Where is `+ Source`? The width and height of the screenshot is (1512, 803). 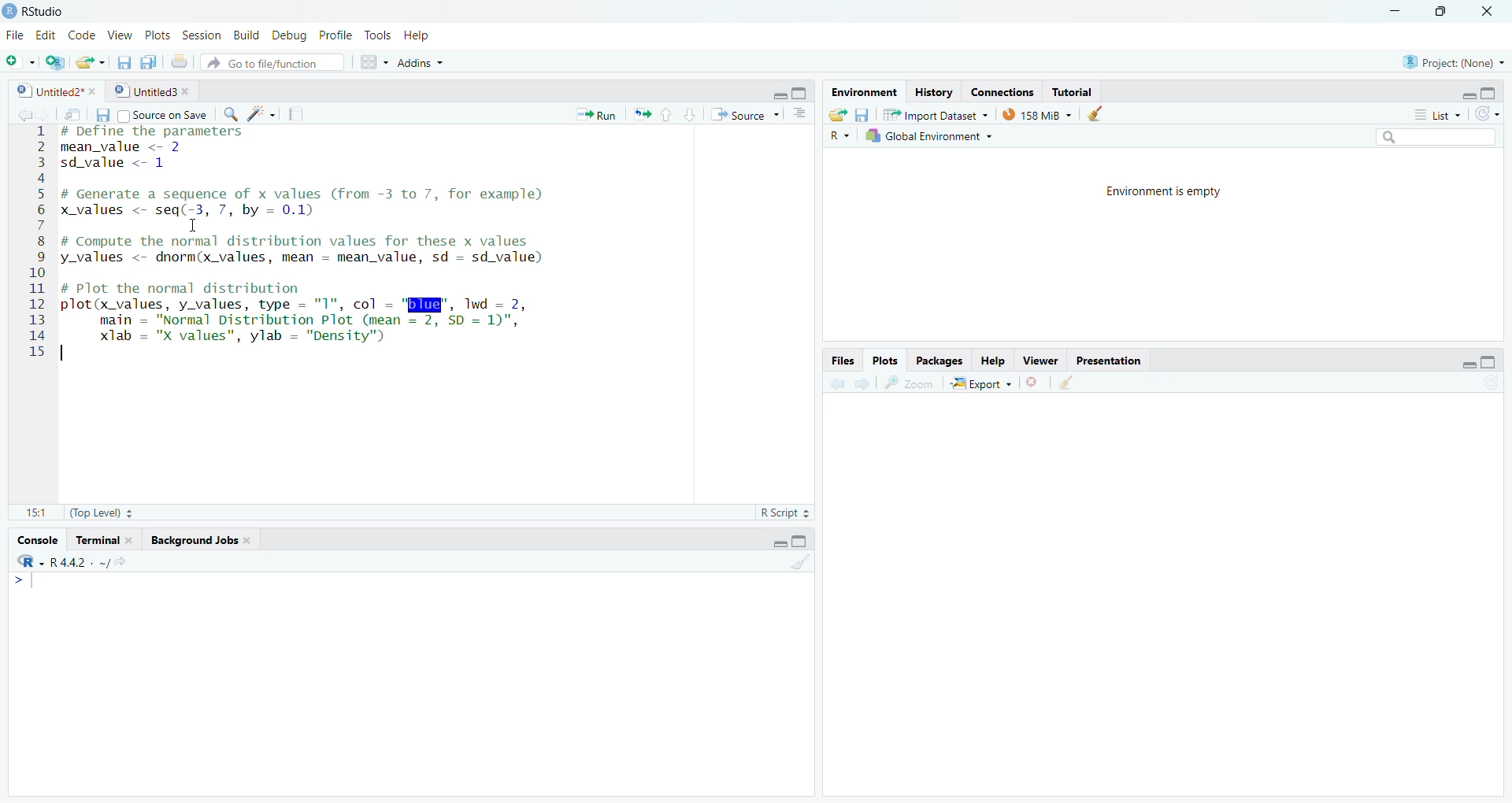
+ Source is located at coordinates (744, 115).